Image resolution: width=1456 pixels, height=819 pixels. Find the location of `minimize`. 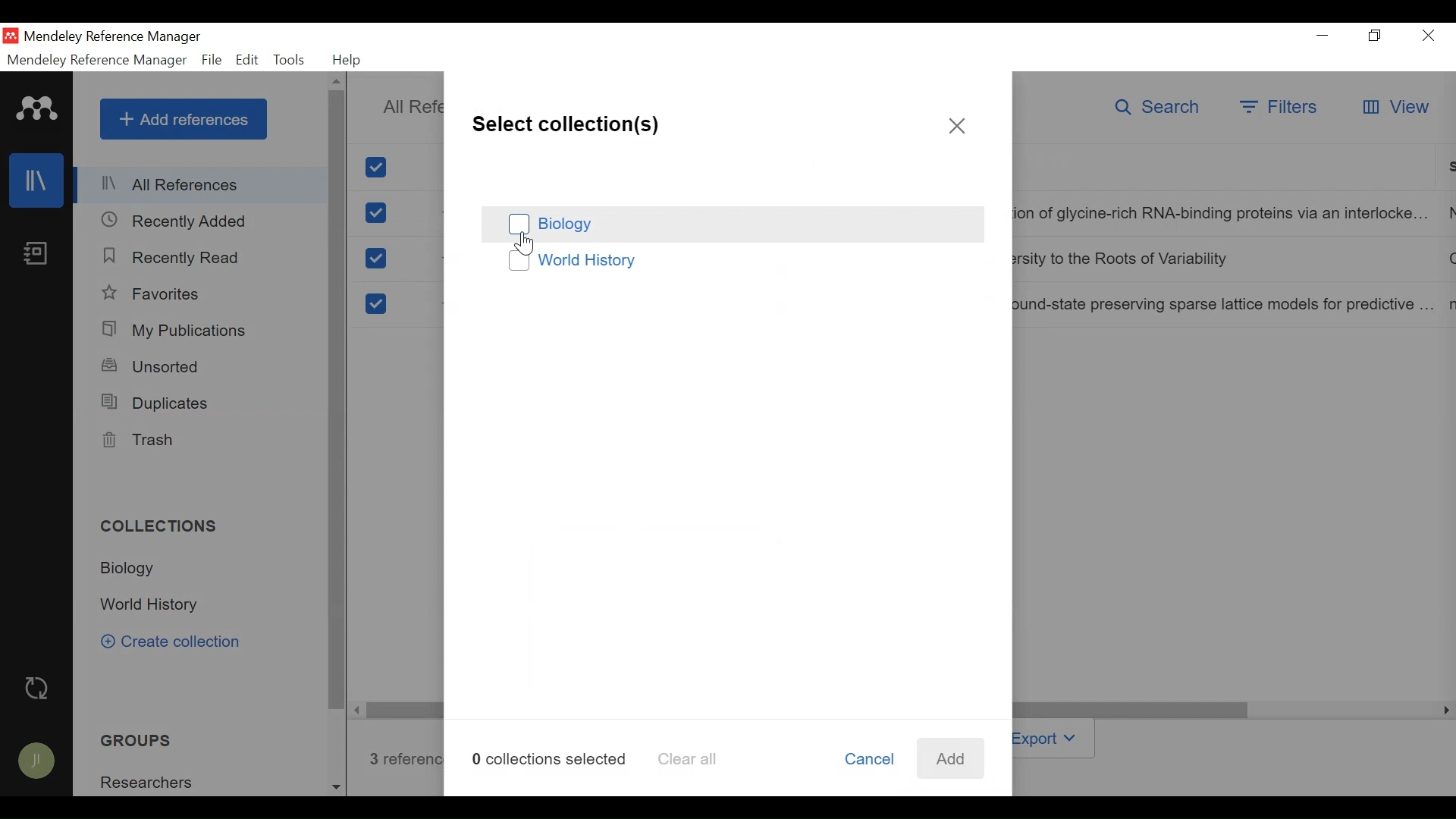

minimize is located at coordinates (1323, 35).